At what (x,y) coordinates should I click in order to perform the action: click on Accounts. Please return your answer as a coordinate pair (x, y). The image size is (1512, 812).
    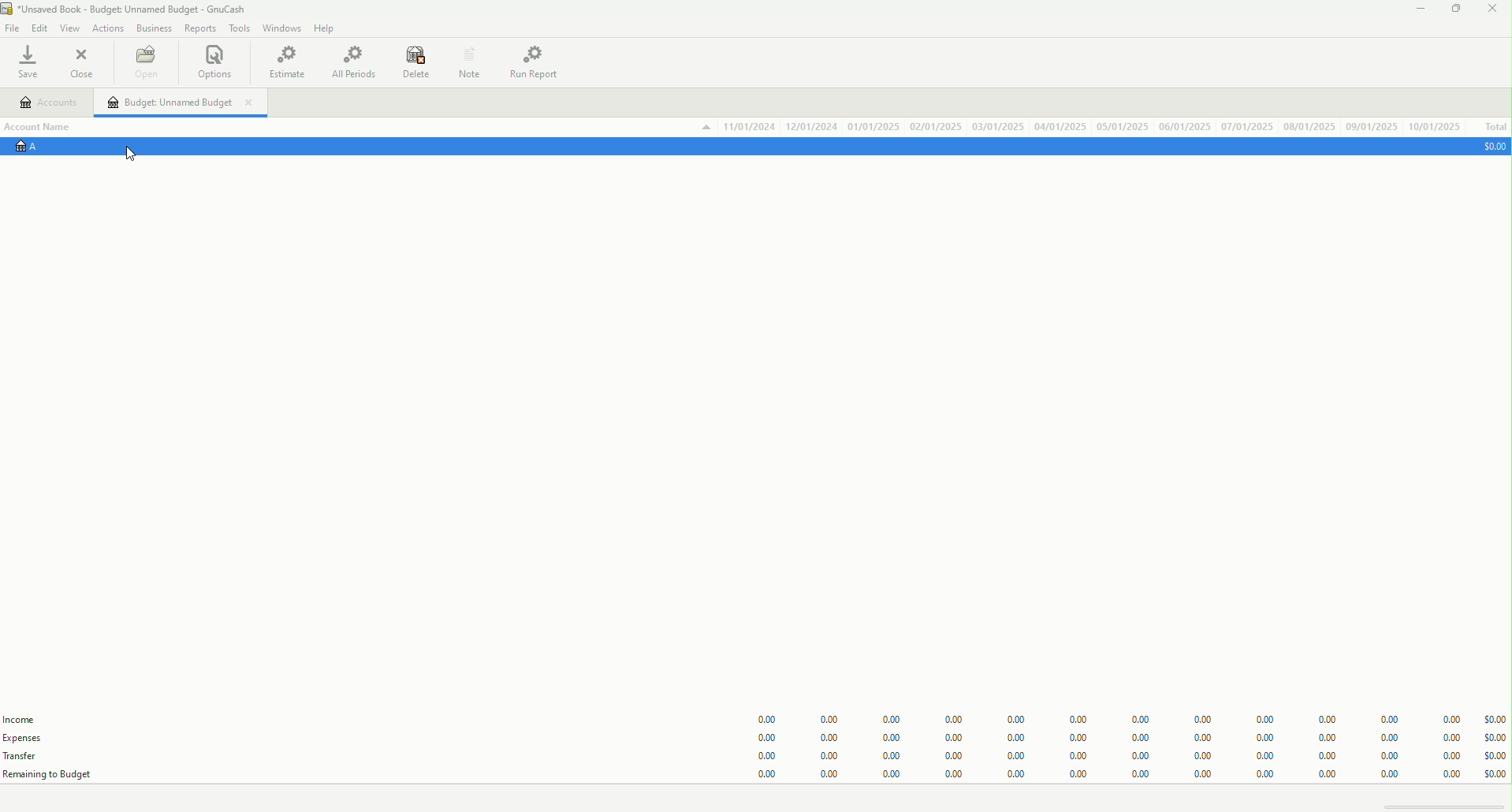
    Looking at the image, I should click on (50, 102).